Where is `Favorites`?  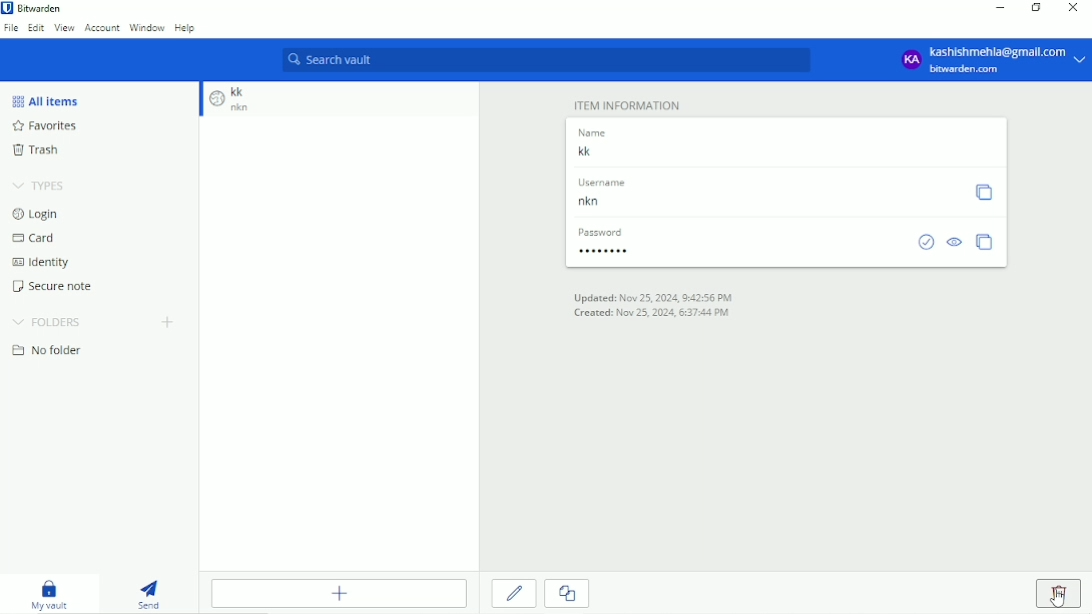 Favorites is located at coordinates (49, 126).